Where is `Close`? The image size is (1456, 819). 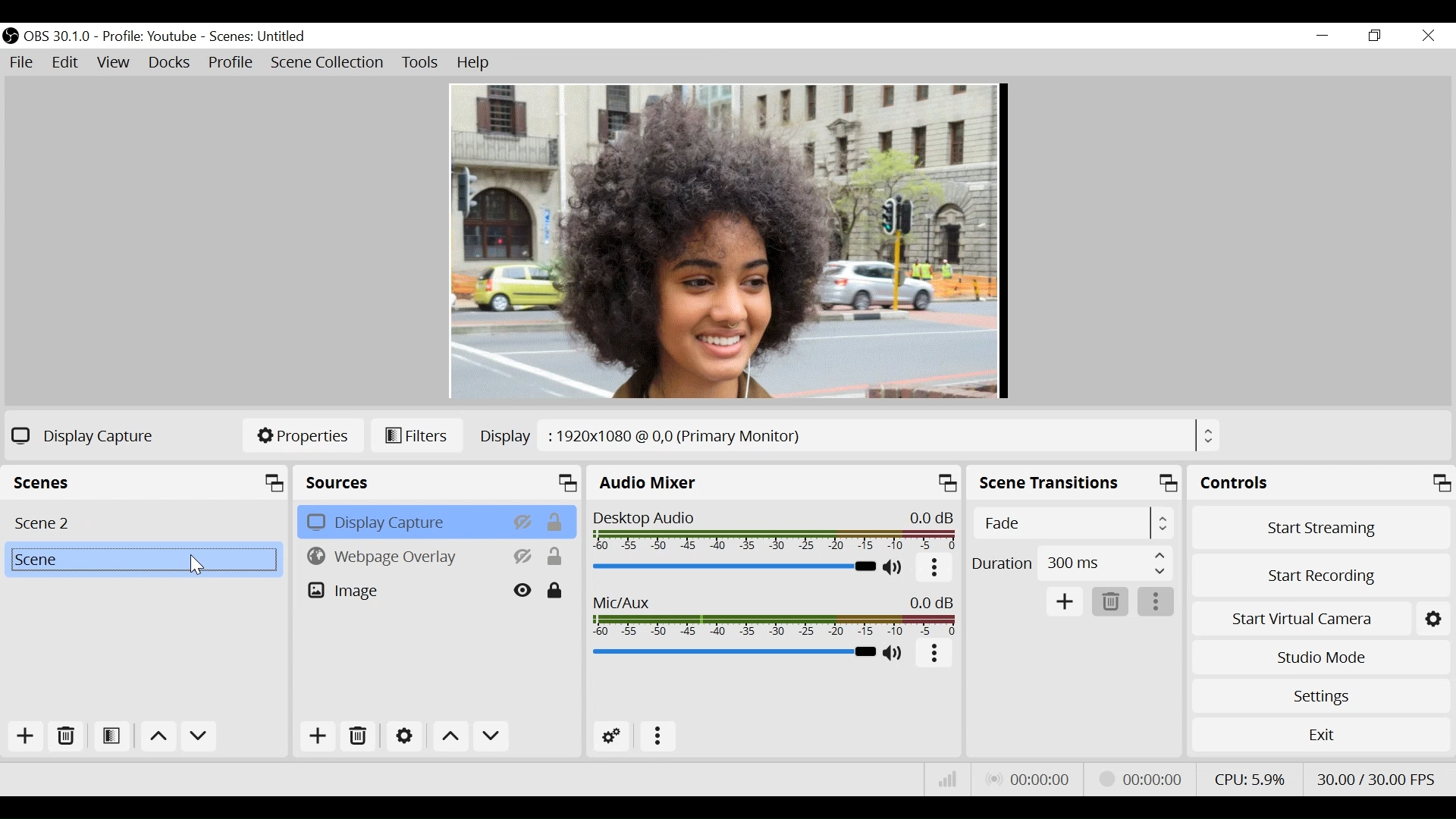
Close is located at coordinates (1428, 35).